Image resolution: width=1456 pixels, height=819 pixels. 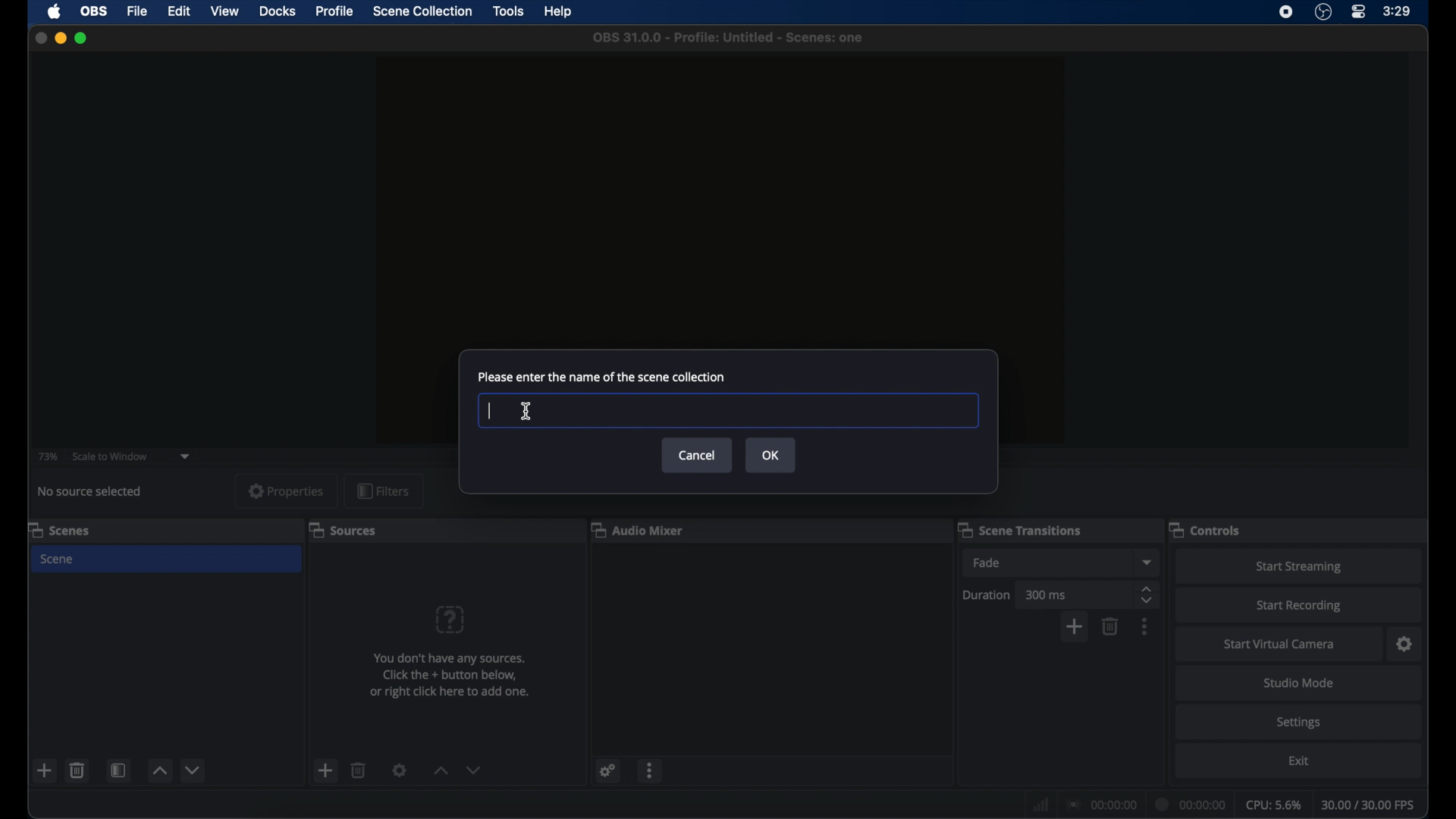 I want to click on cpu, so click(x=1274, y=804).